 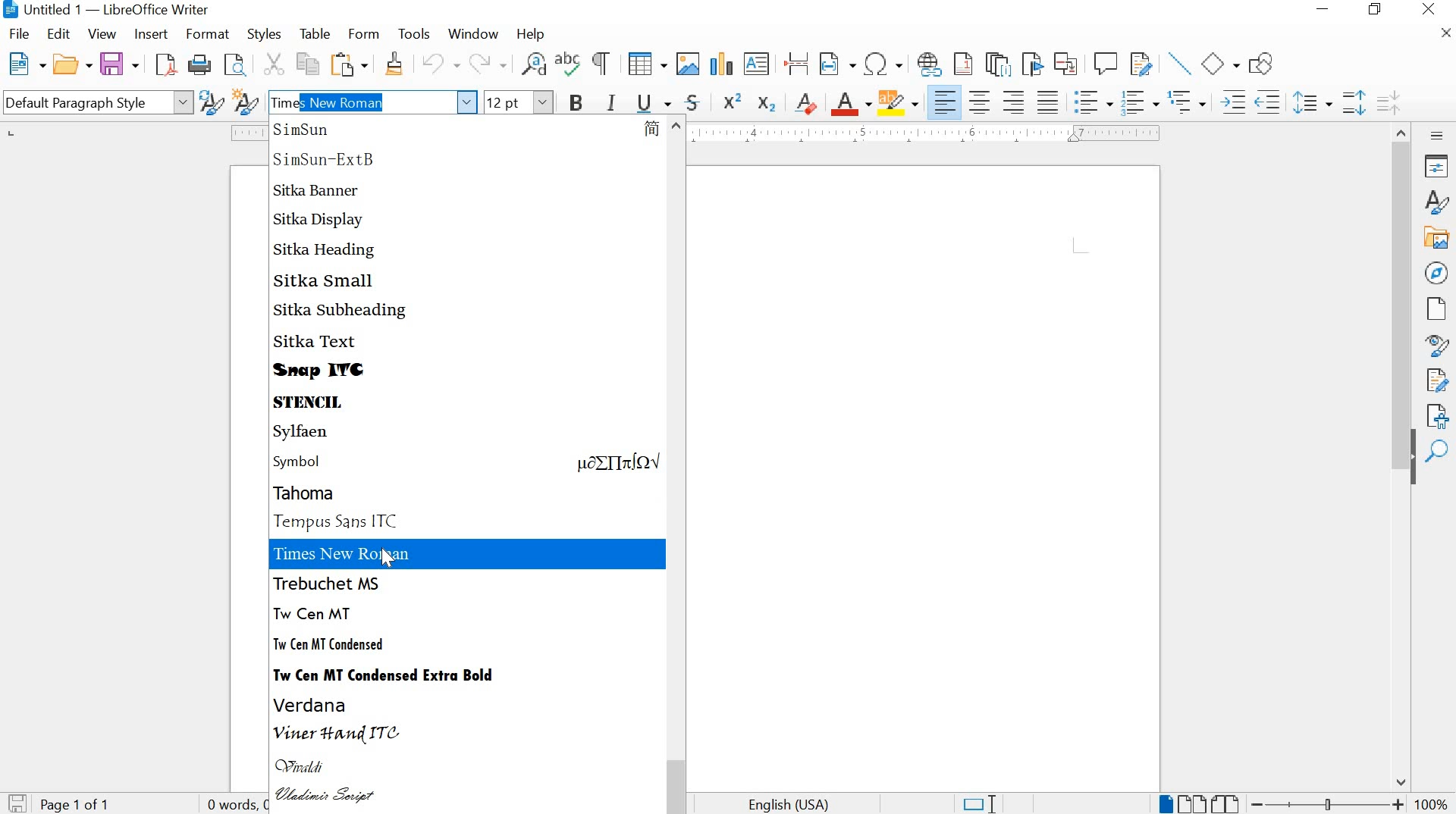 I want to click on ZOOM FACTOR, so click(x=1432, y=803).